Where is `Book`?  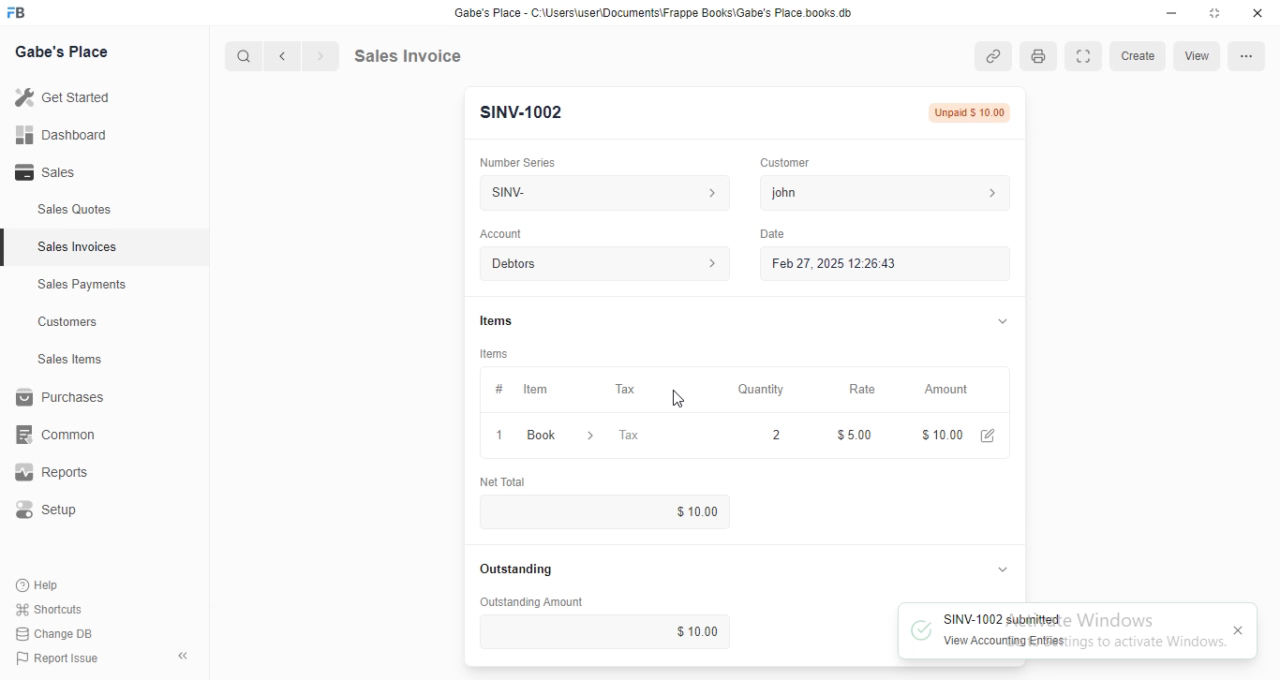
Book is located at coordinates (564, 434).